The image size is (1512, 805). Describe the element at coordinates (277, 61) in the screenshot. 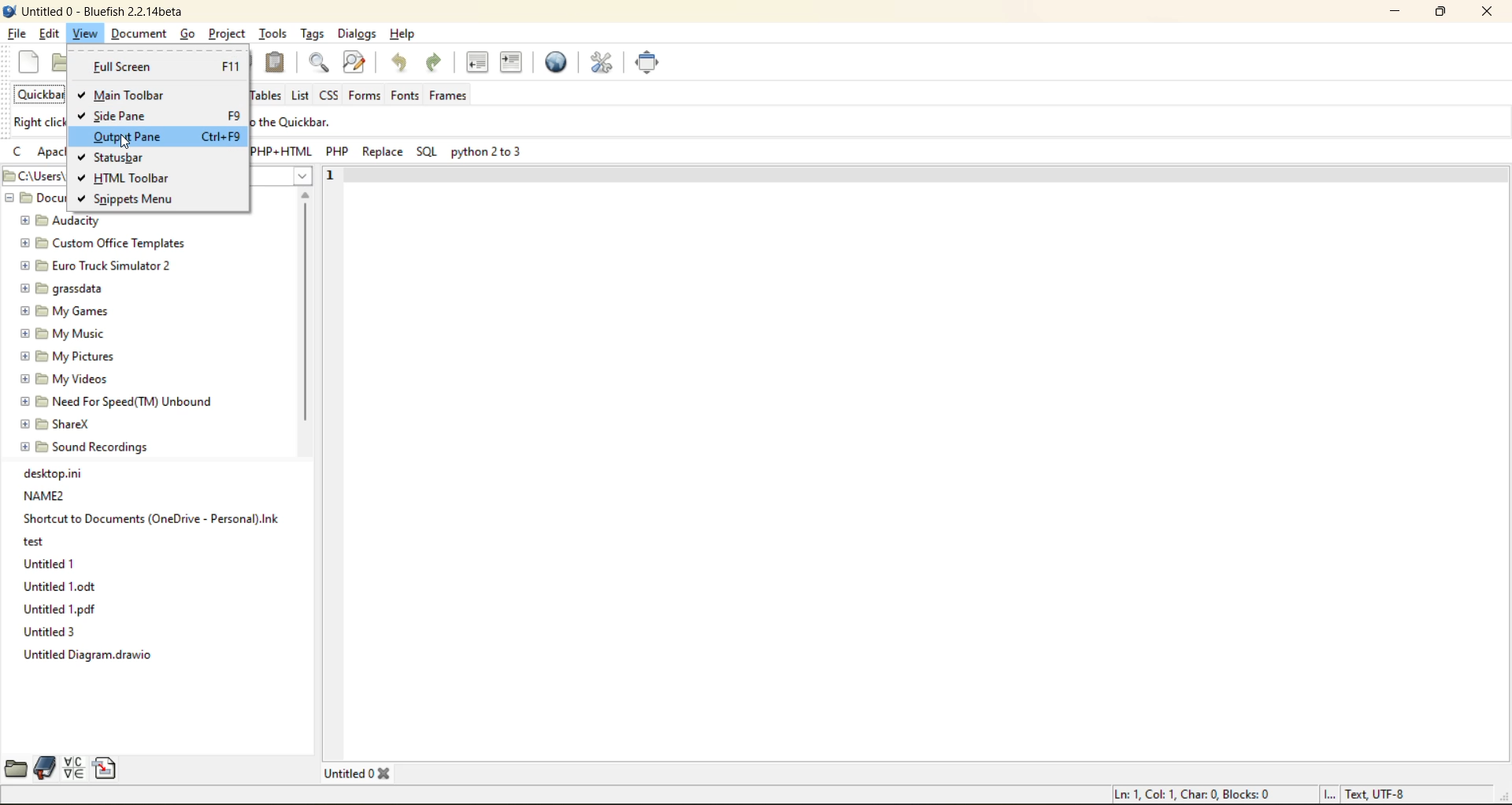

I see `paste` at that location.